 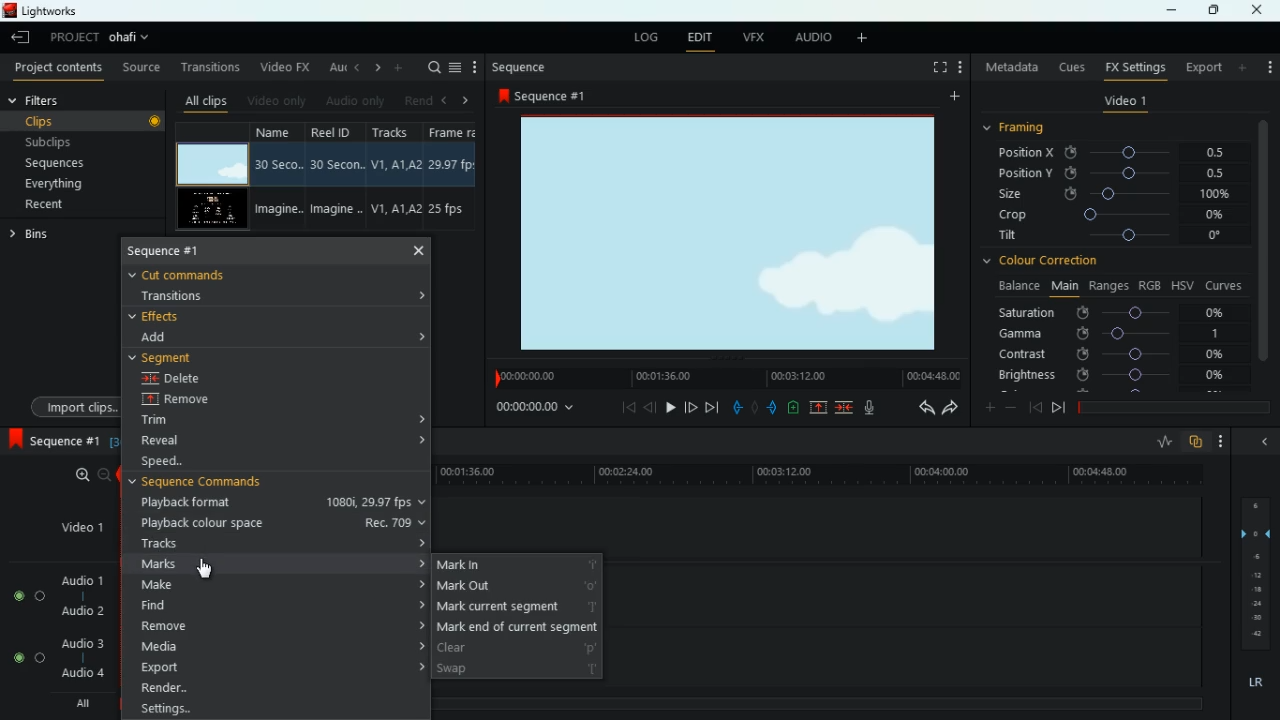 What do you see at coordinates (1035, 408) in the screenshot?
I see `back` at bounding box center [1035, 408].